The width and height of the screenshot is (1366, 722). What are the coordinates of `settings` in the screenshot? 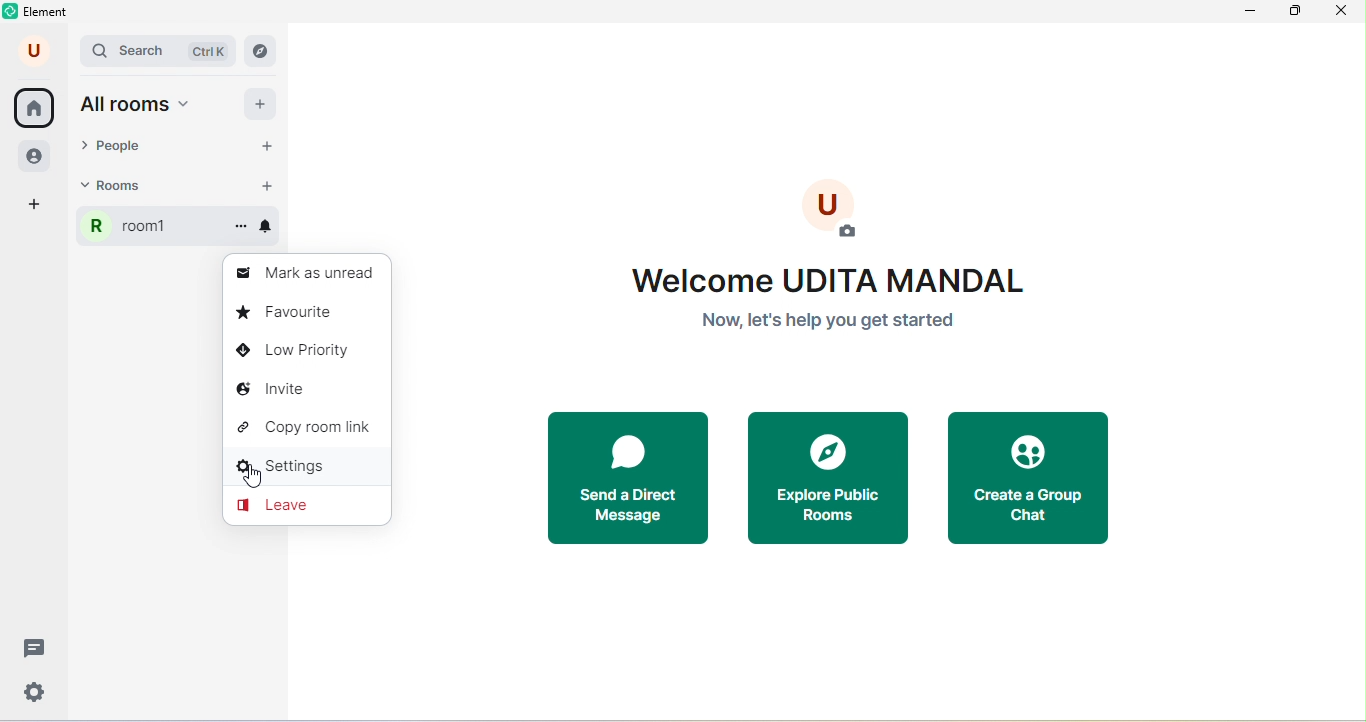 It's located at (285, 465).